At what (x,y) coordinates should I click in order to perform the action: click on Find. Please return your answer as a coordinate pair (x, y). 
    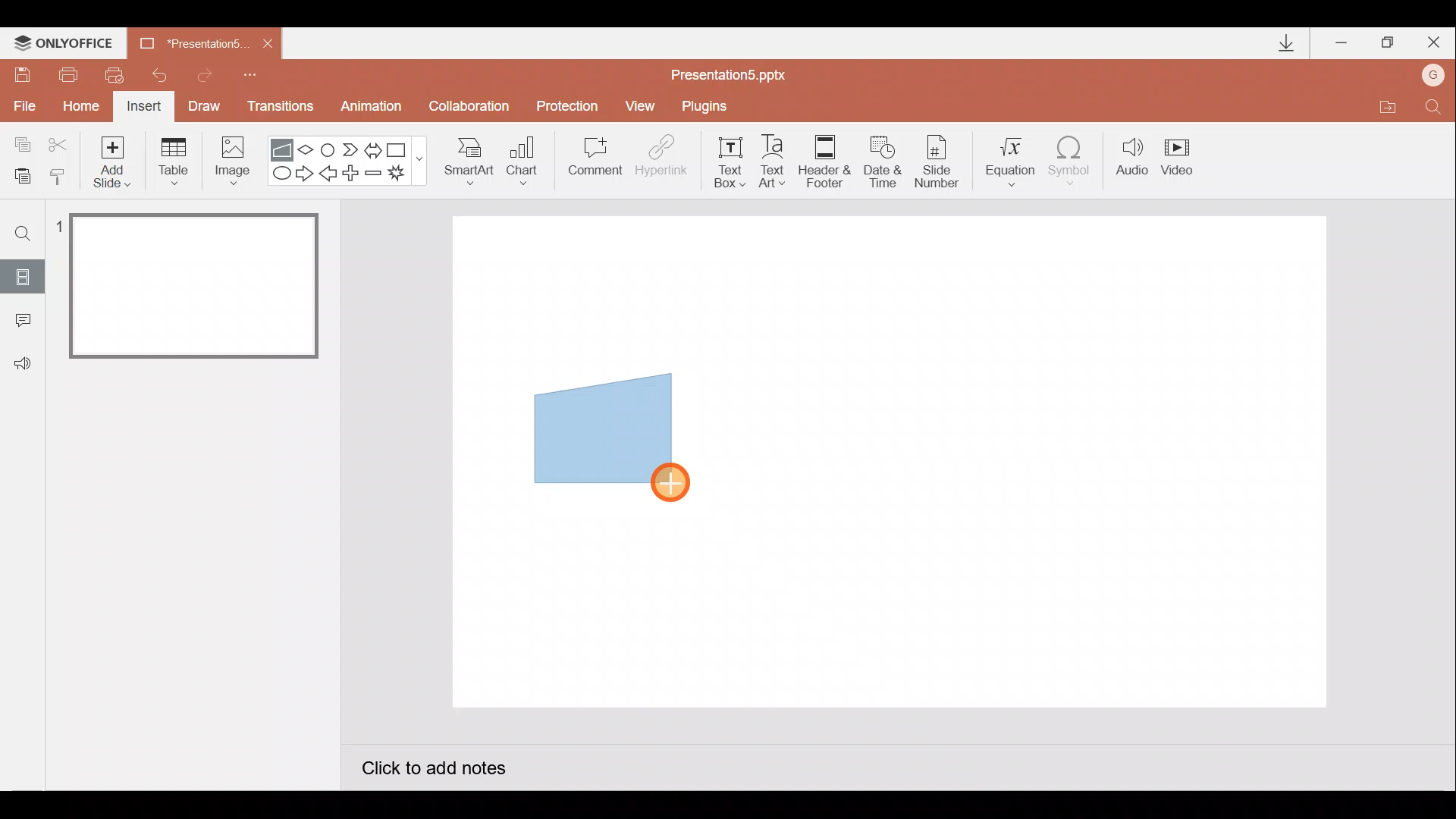
    Looking at the image, I should click on (1433, 111).